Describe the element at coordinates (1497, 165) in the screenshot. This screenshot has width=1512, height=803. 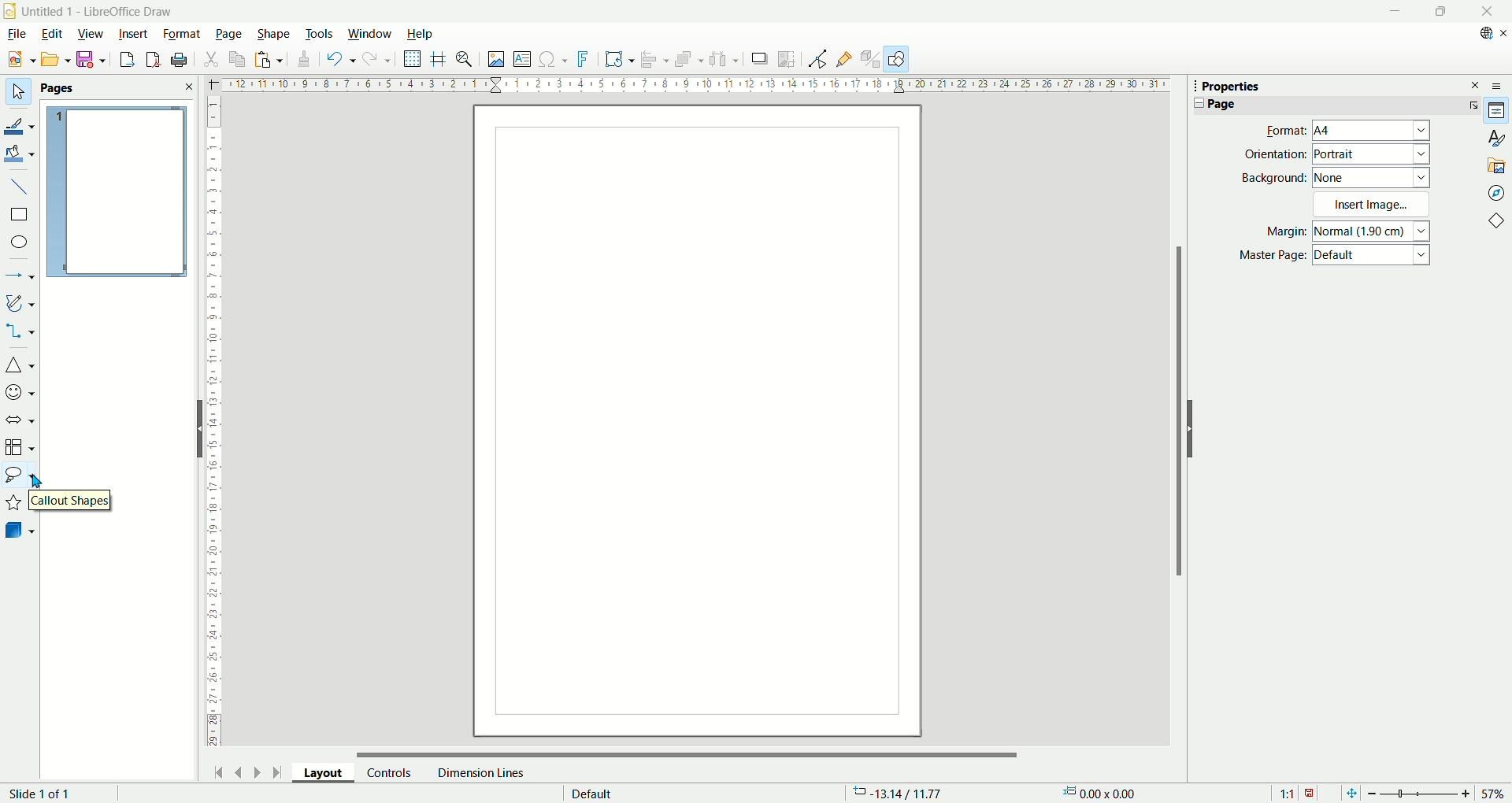
I see `Gallery` at that location.